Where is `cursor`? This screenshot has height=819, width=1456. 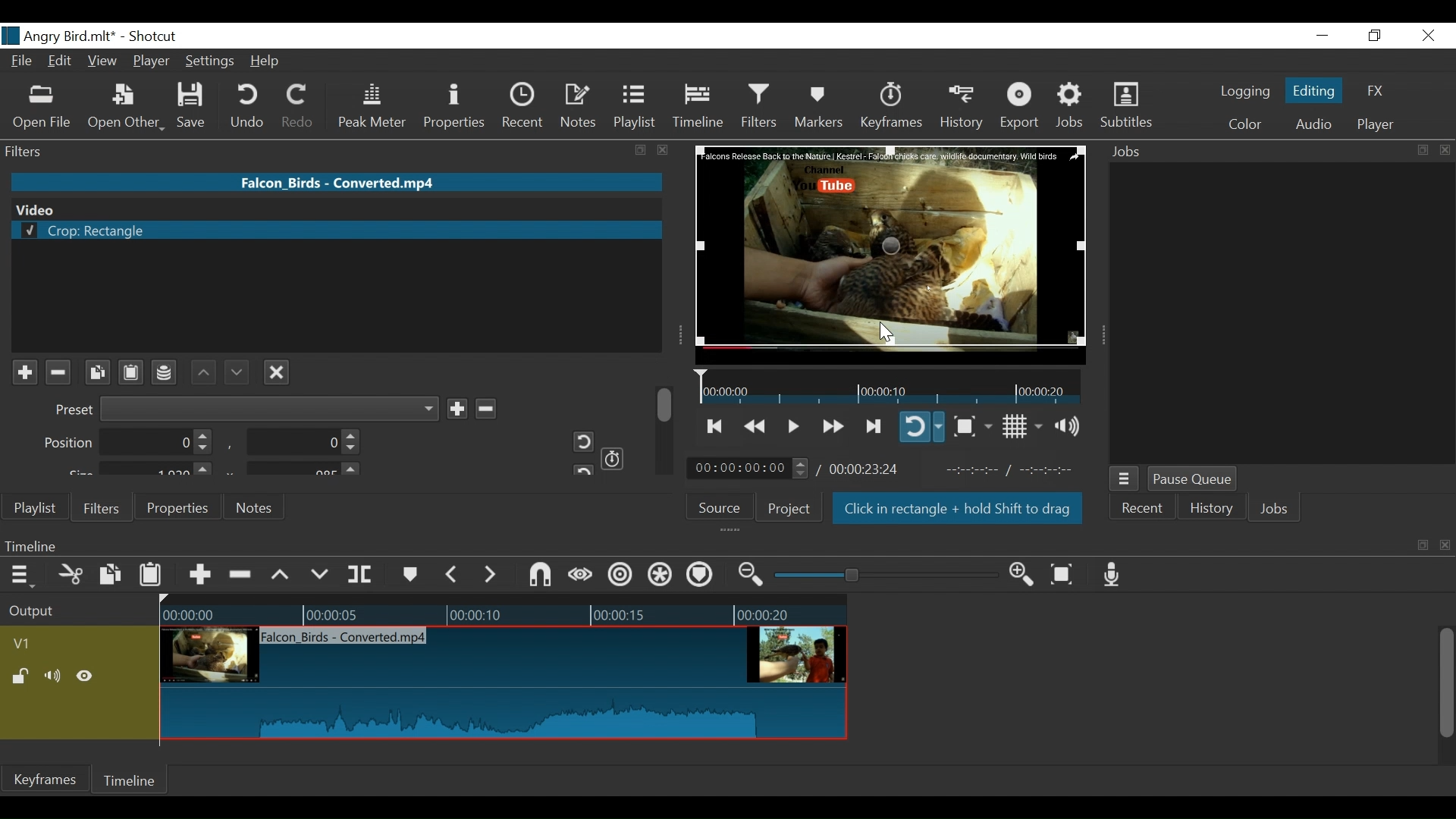 cursor is located at coordinates (885, 332).